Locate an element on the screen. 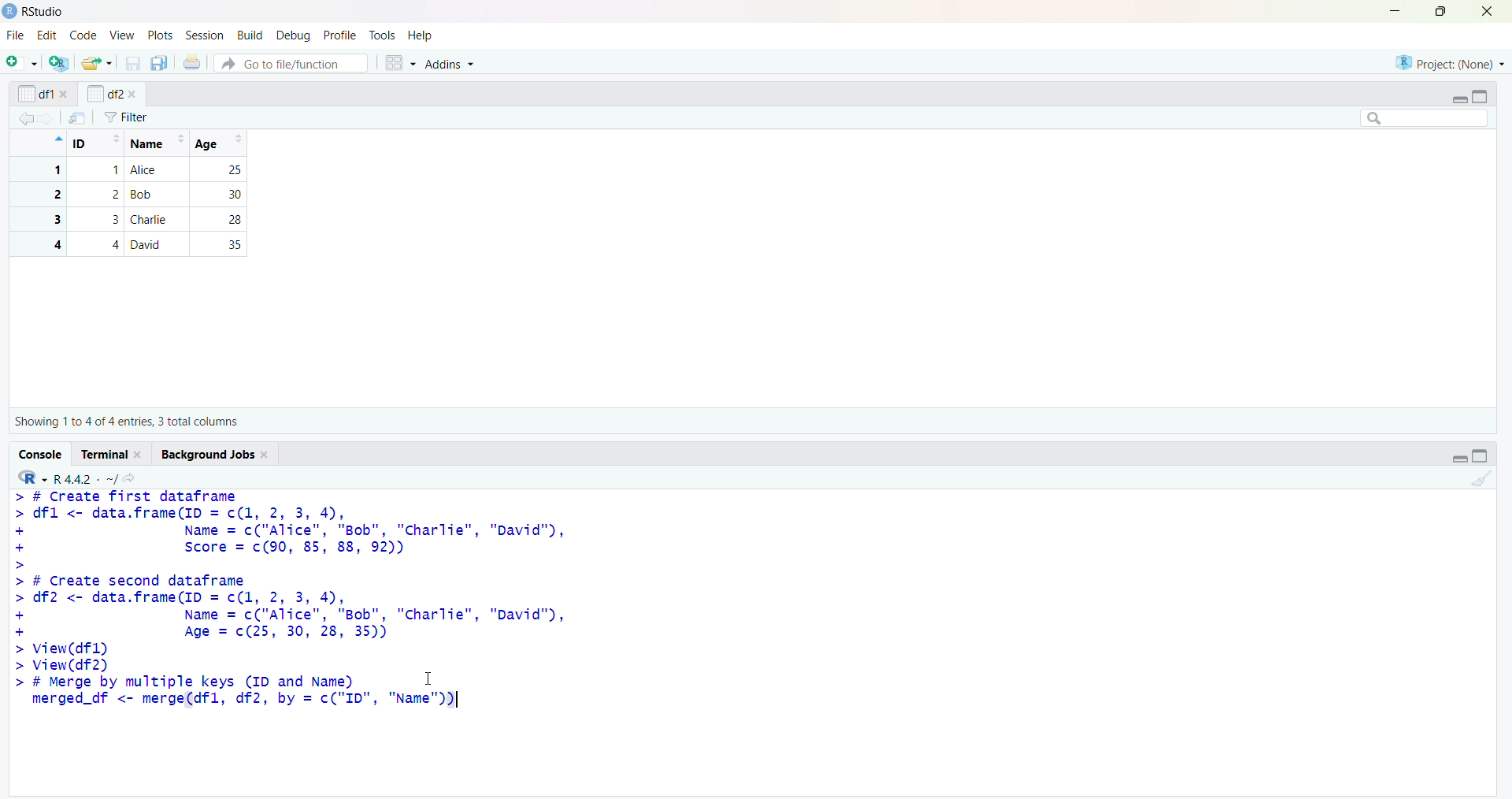  edit is located at coordinates (47, 35).